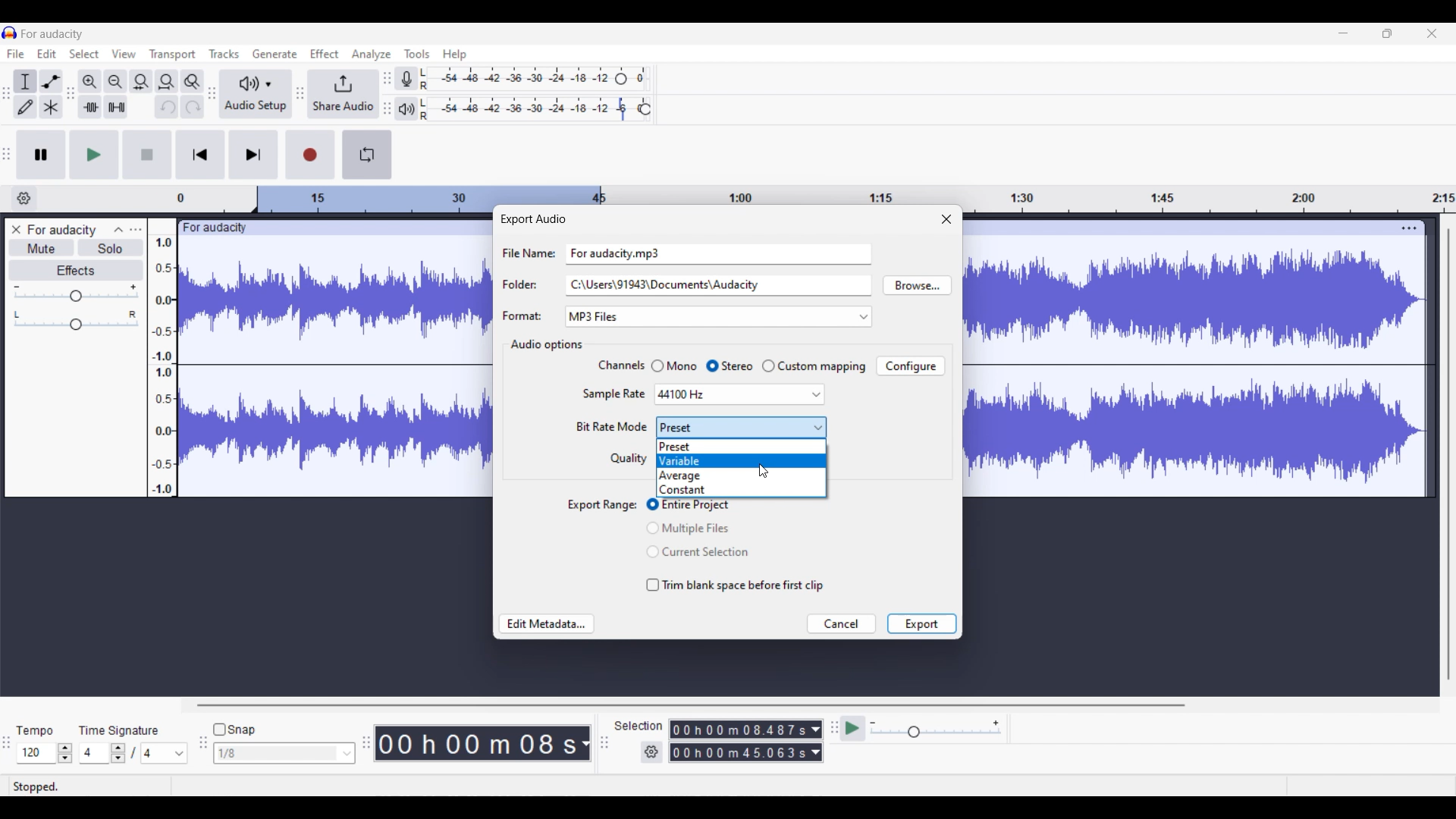 The width and height of the screenshot is (1456, 819). What do you see at coordinates (843, 623) in the screenshot?
I see `Cancel` at bounding box center [843, 623].